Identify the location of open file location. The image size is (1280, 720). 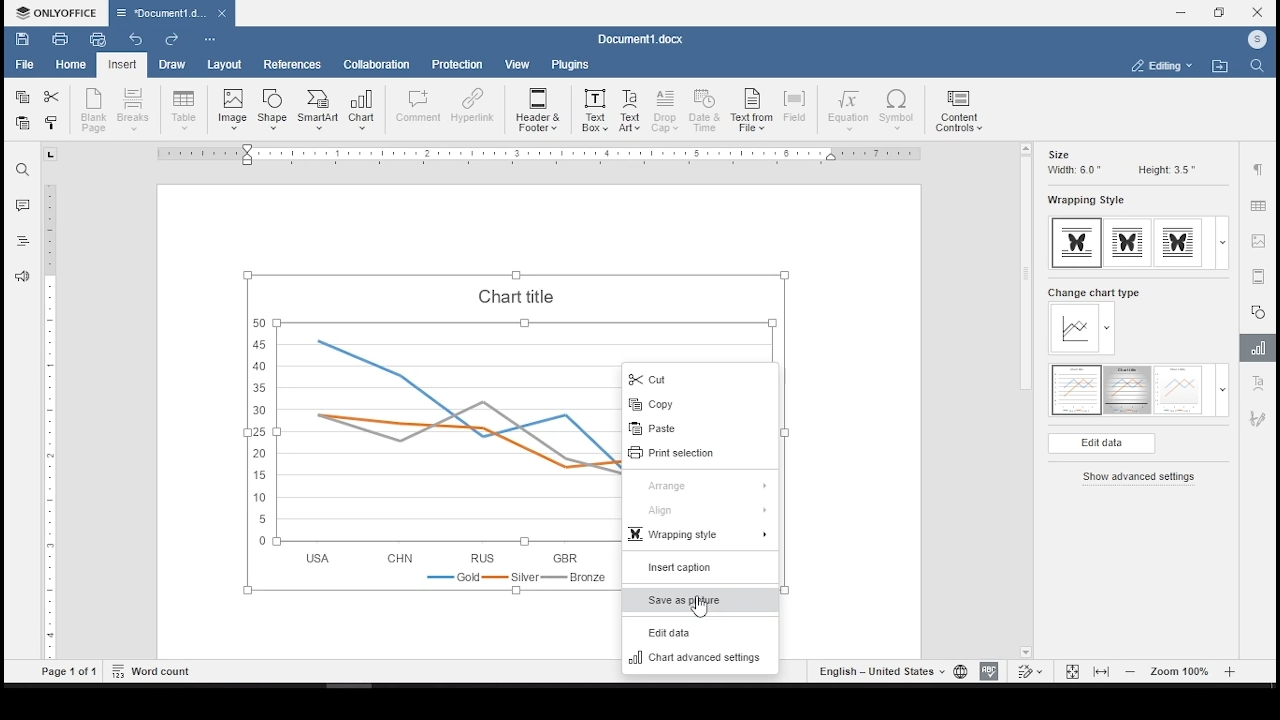
(1219, 67).